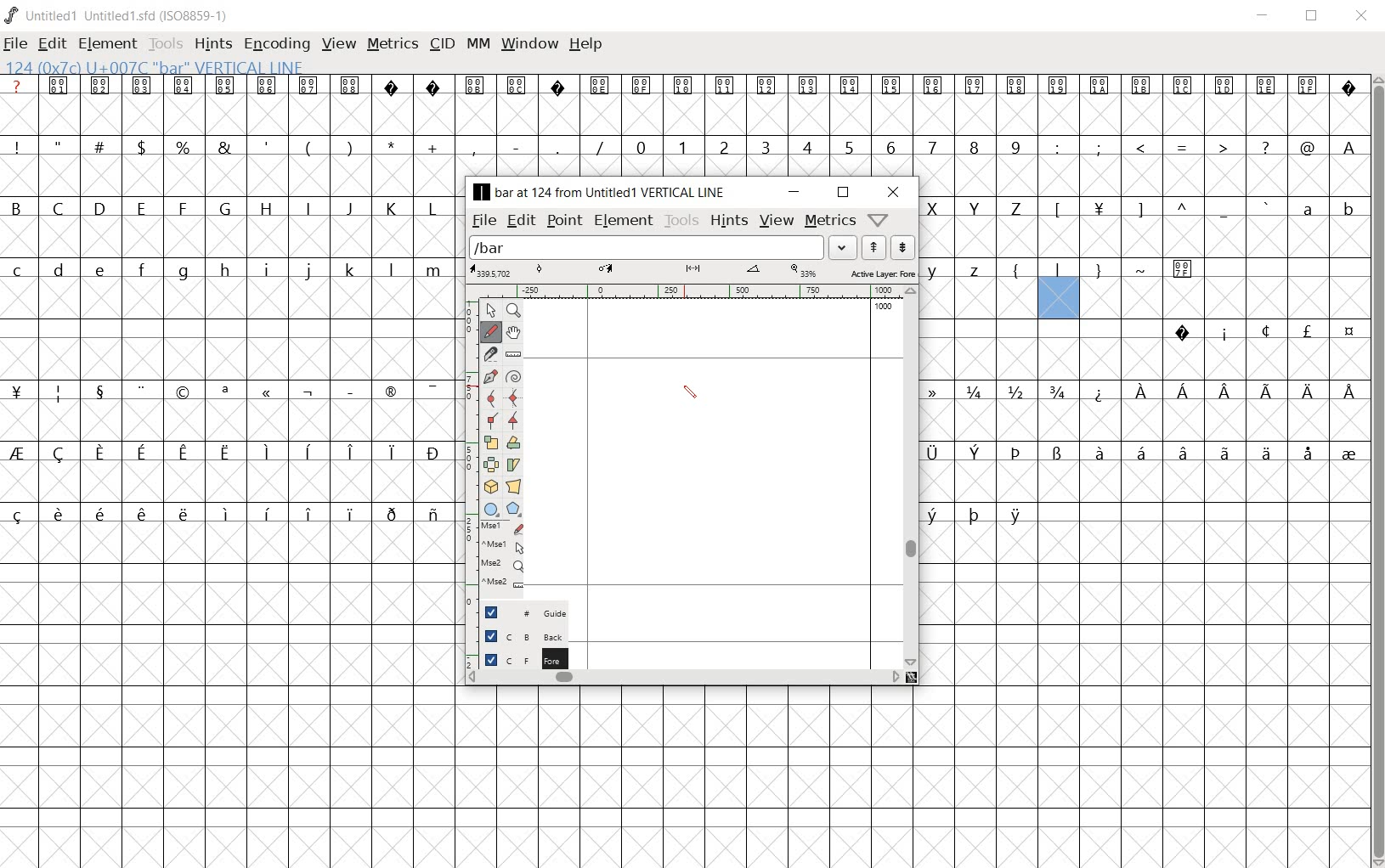 The image size is (1385, 868). I want to click on load word list, so click(647, 247).